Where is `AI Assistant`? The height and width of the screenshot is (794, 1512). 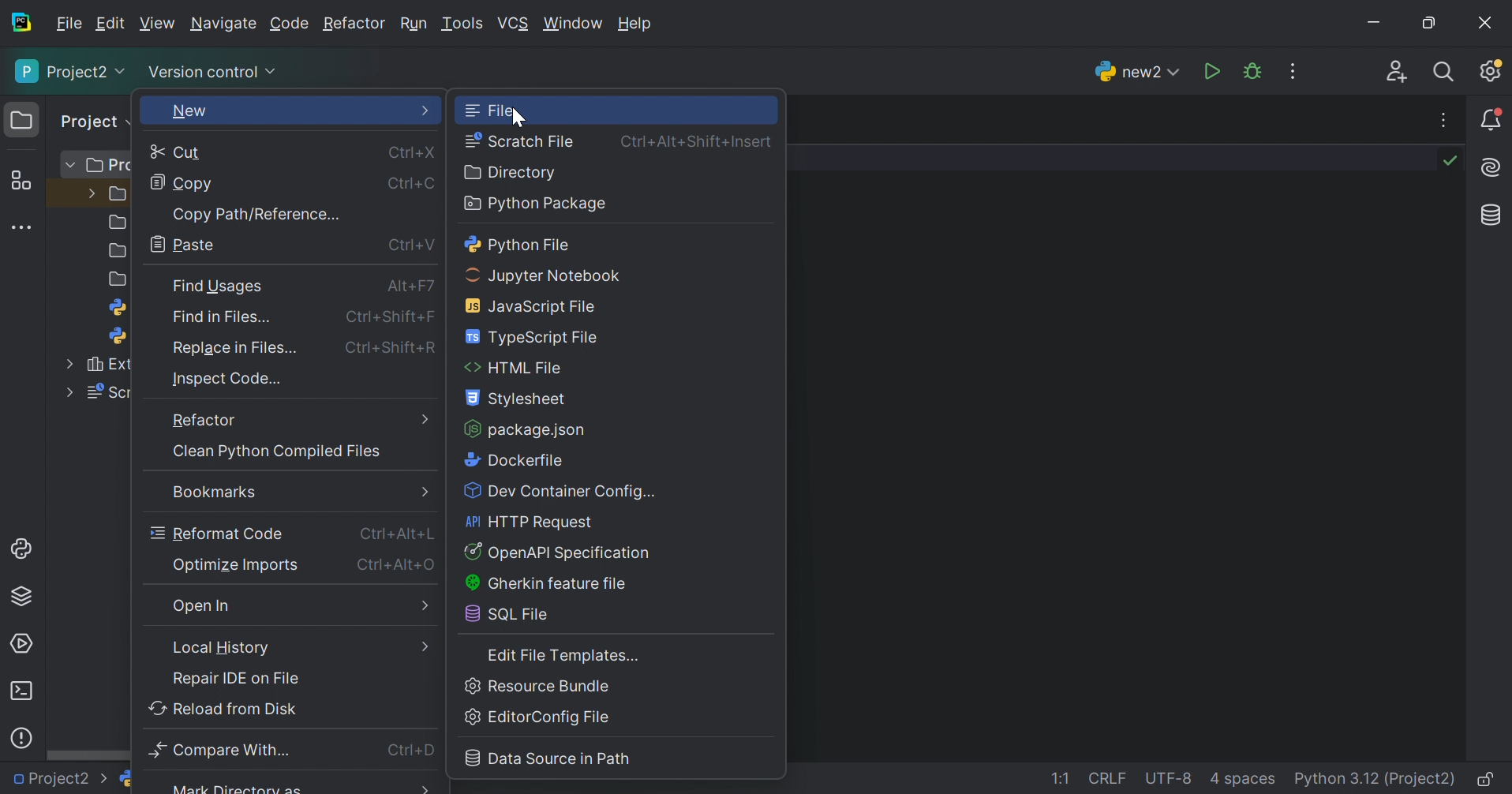 AI Assistant is located at coordinates (1493, 169).